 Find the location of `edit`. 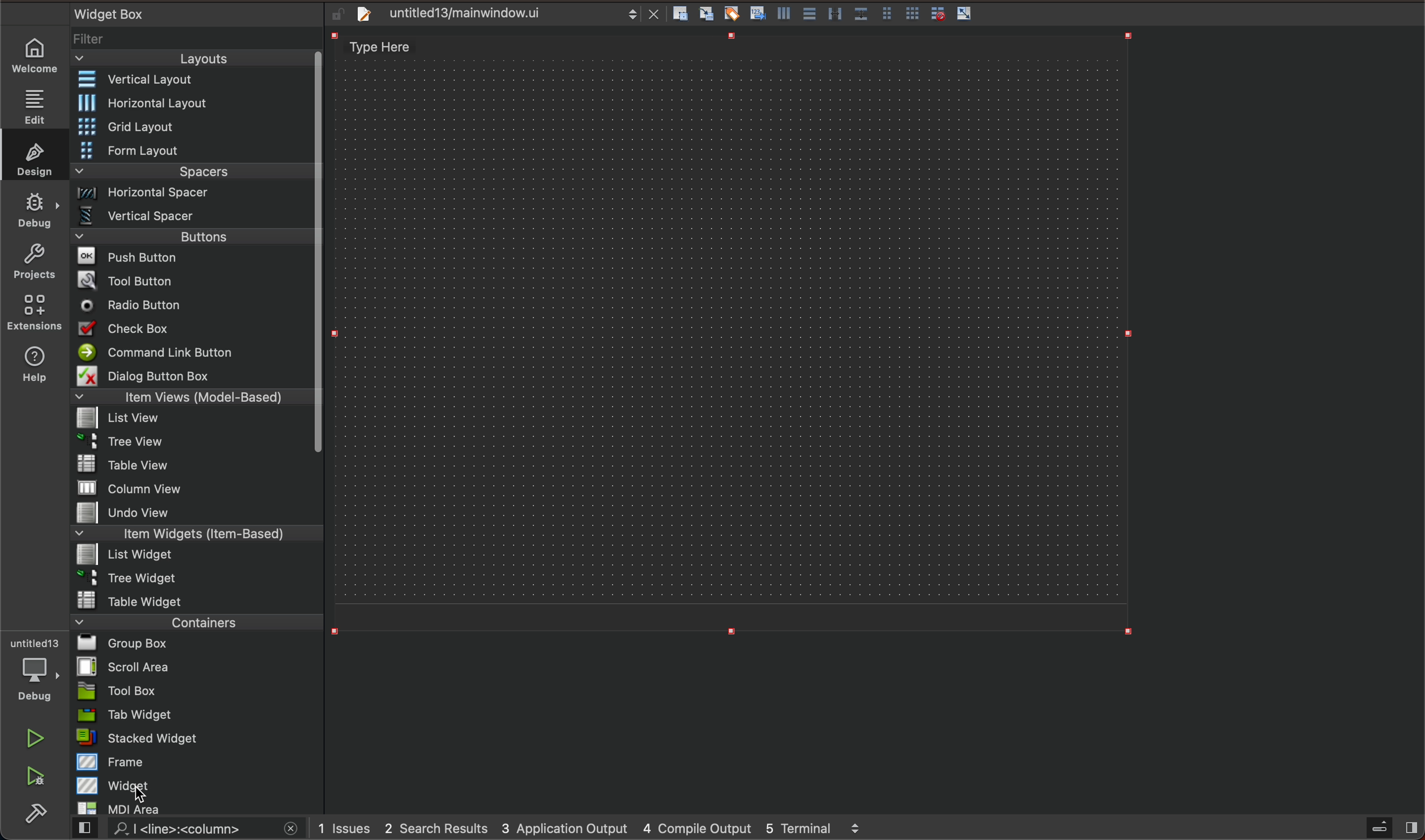

edit is located at coordinates (37, 103).